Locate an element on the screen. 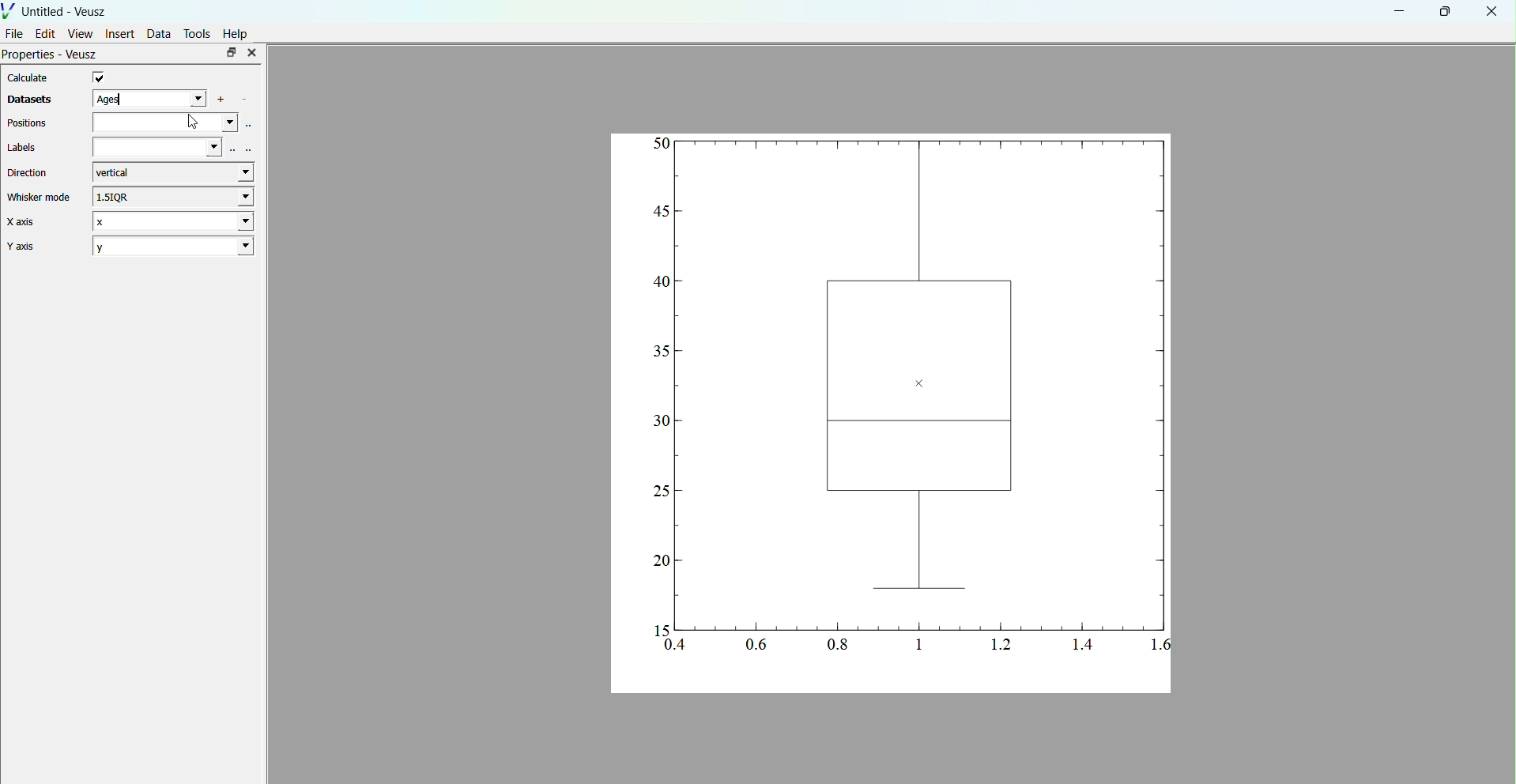 The width and height of the screenshot is (1516, 784). close is located at coordinates (251, 53).